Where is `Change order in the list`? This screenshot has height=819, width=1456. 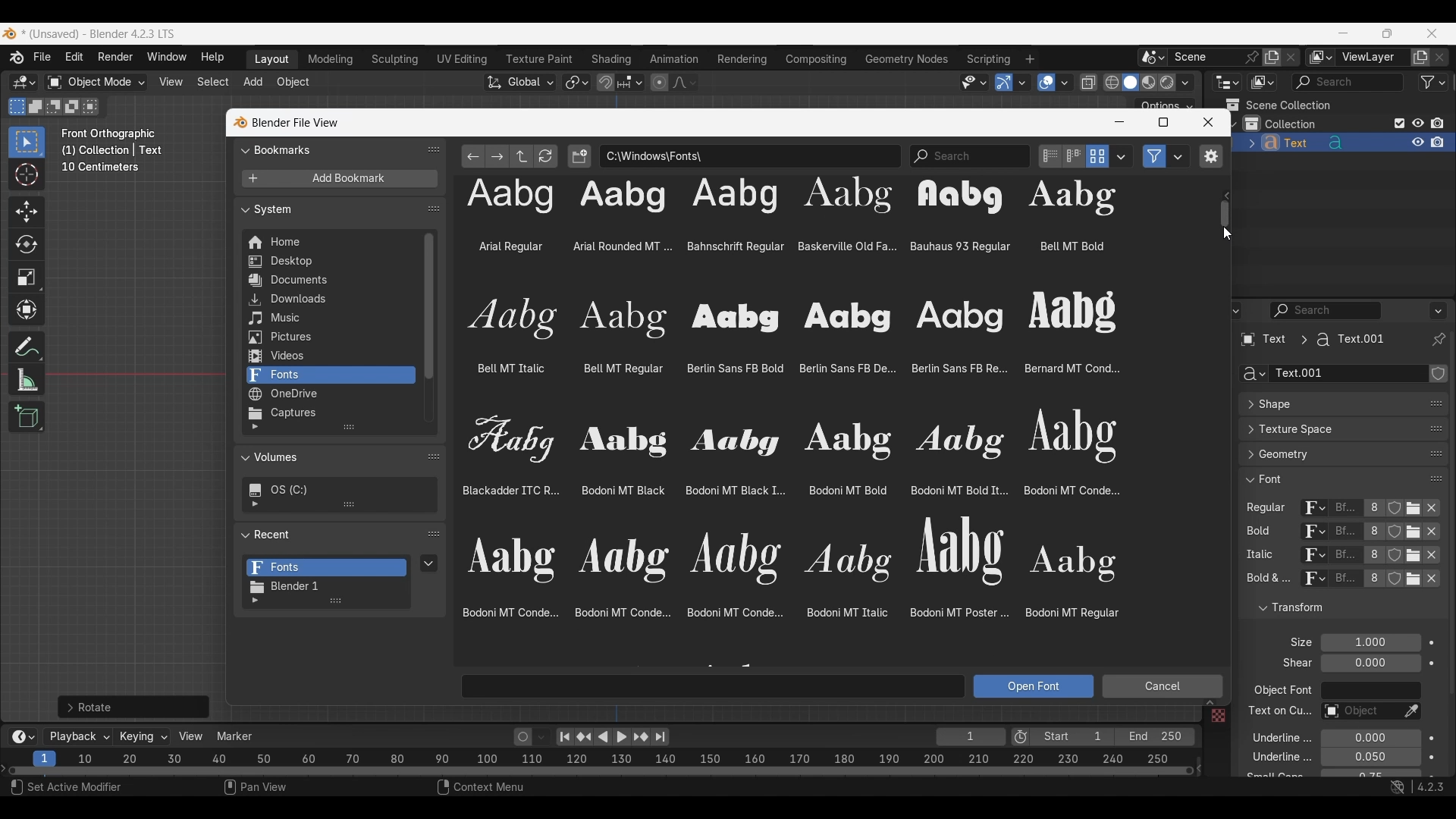
Change order in the list is located at coordinates (1436, 626).